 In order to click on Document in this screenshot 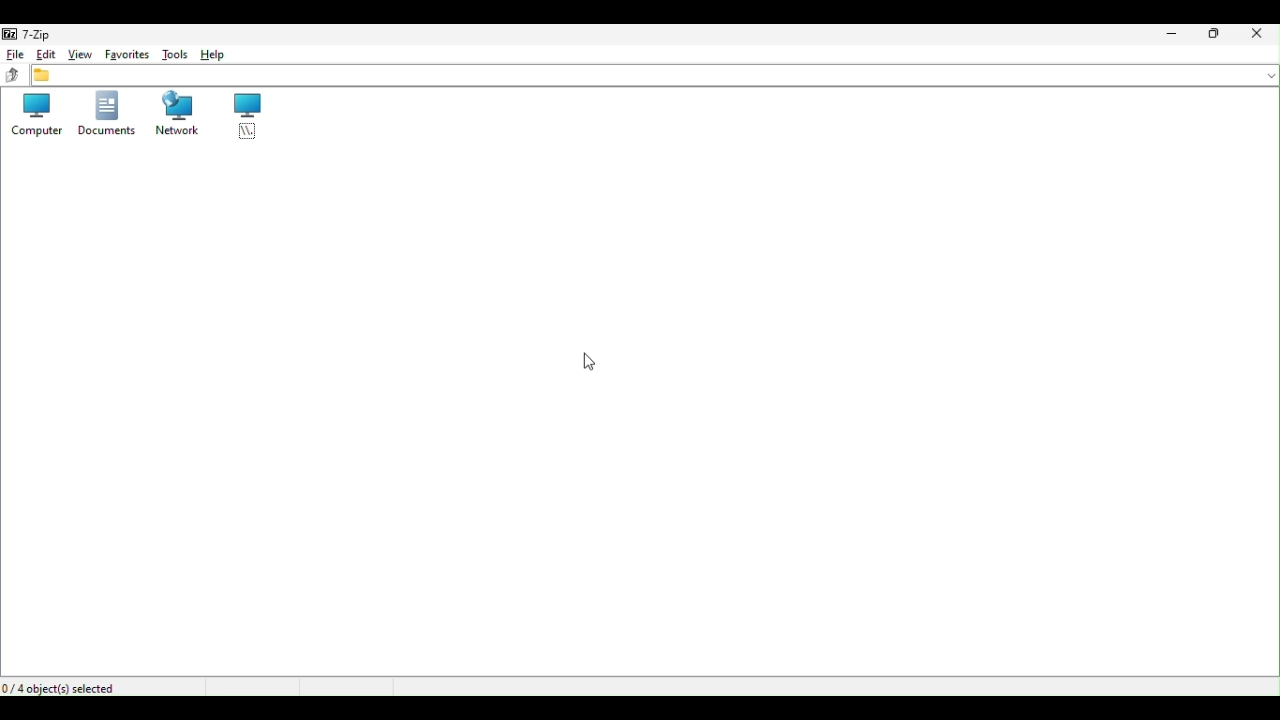, I will do `click(106, 116)`.